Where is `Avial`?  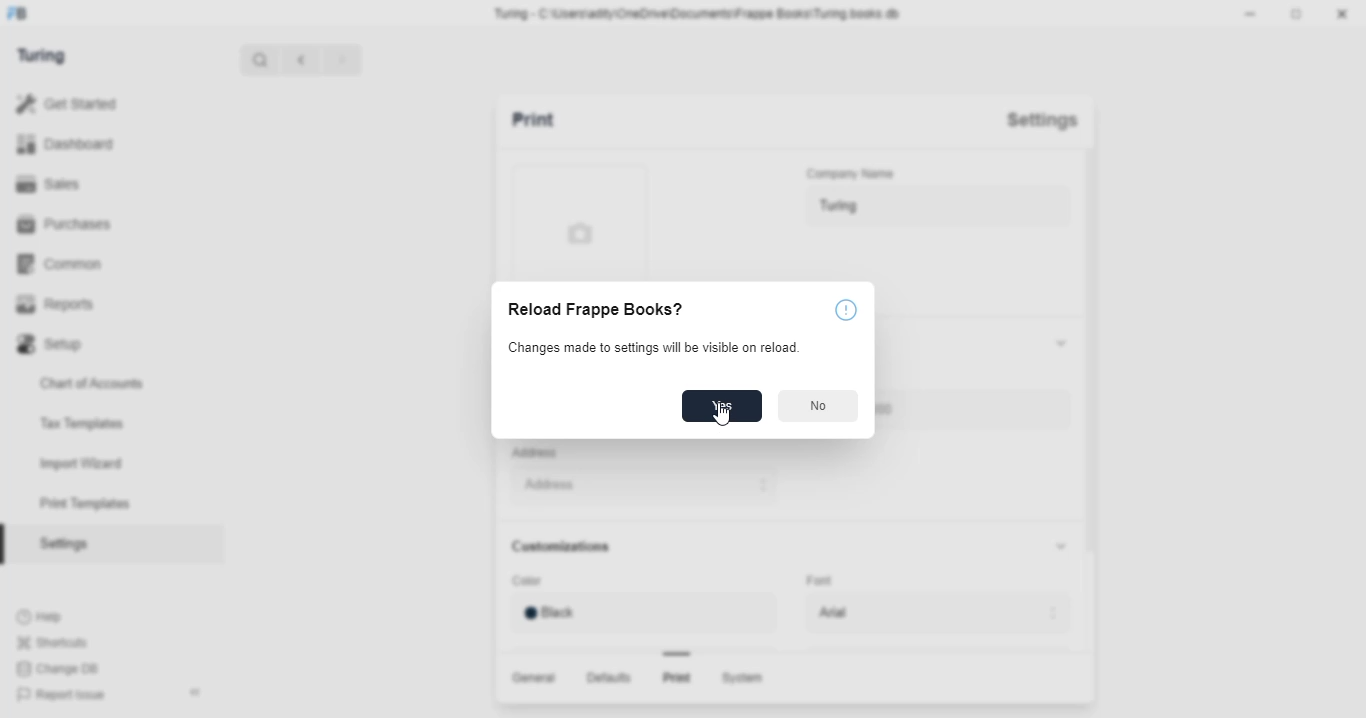
Avial is located at coordinates (933, 612).